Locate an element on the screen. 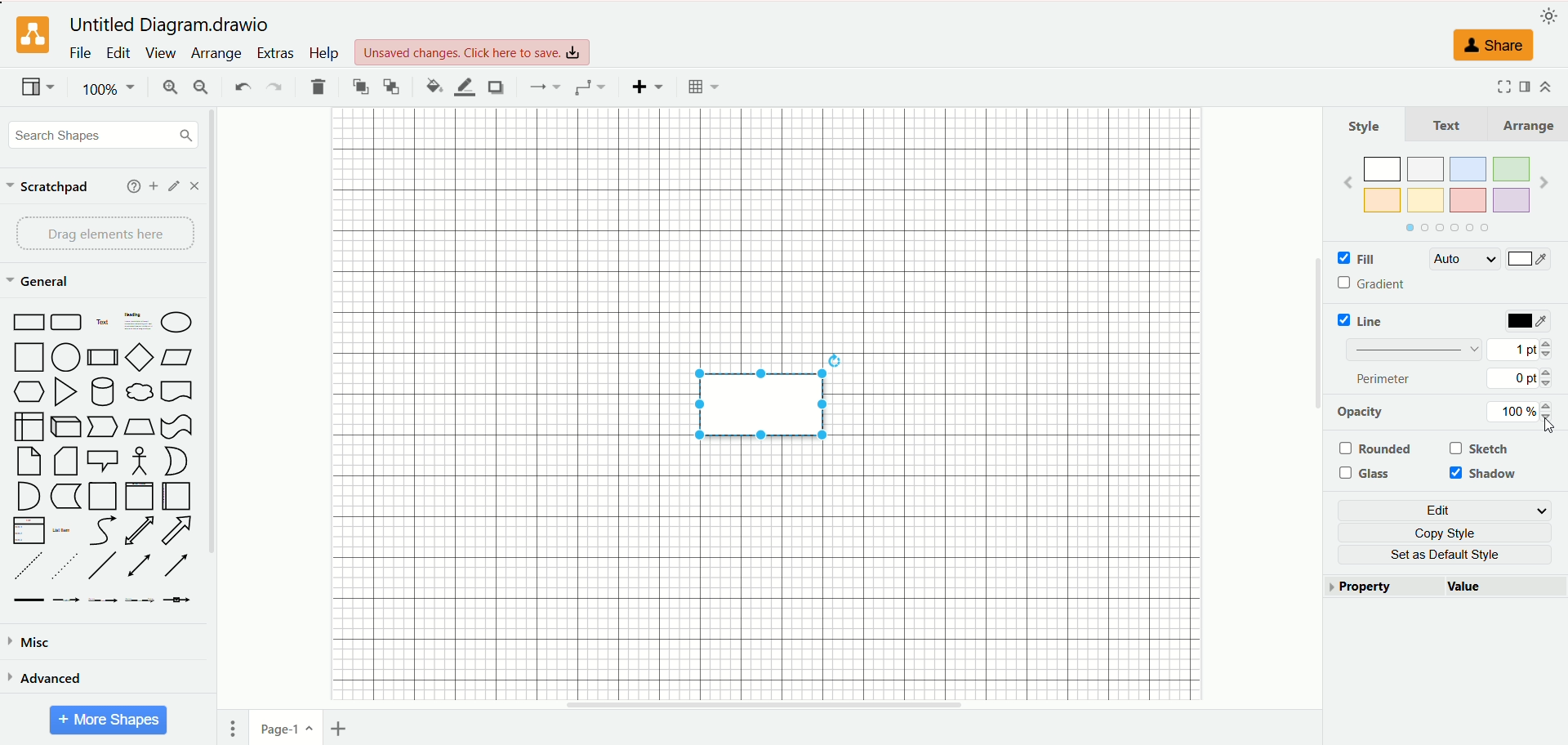 The image size is (1568, 745). text is located at coordinates (1447, 124).